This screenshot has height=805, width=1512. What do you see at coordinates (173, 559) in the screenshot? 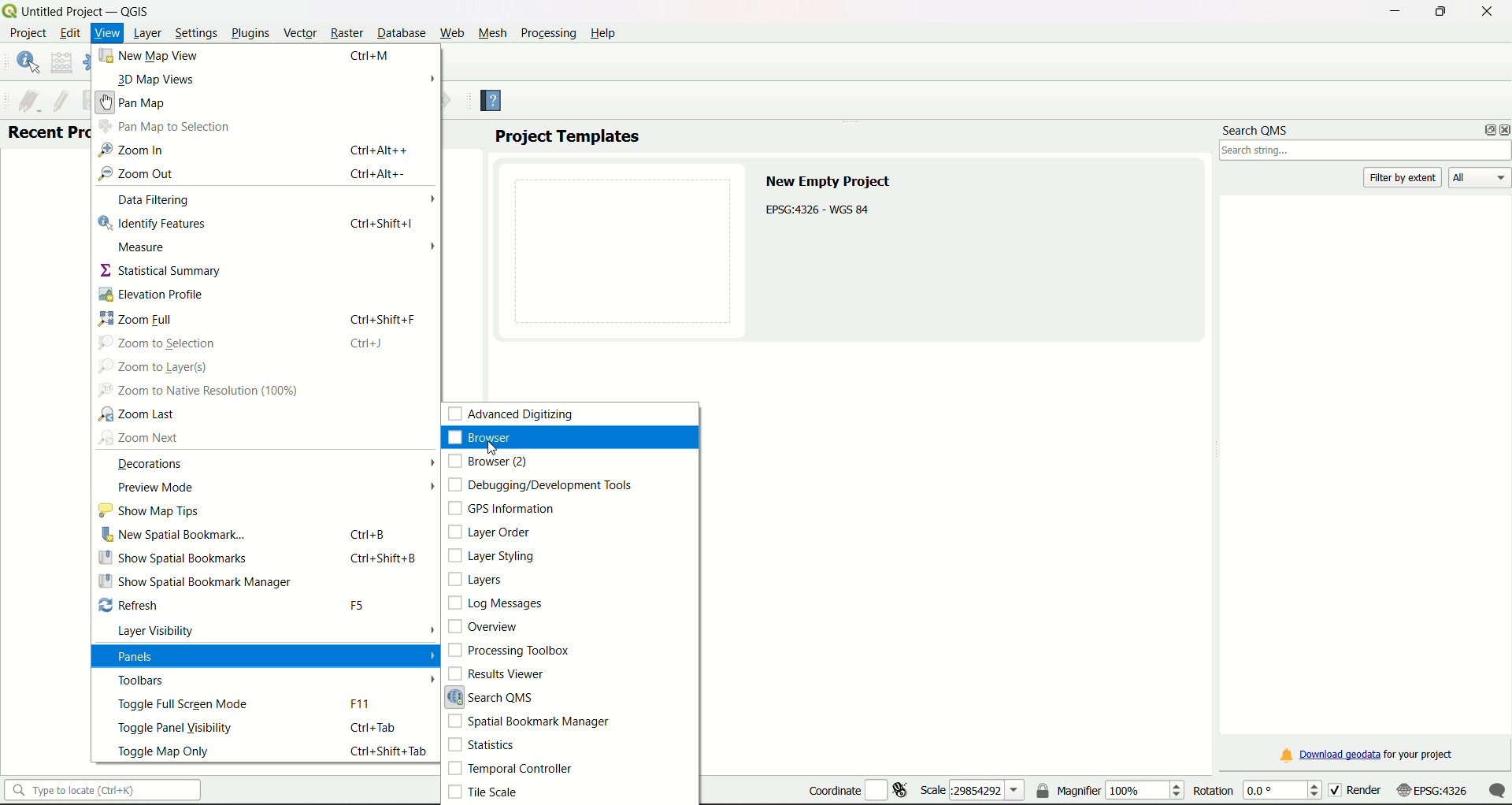
I see `show spatial bookmarks` at bounding box center [173, 559].